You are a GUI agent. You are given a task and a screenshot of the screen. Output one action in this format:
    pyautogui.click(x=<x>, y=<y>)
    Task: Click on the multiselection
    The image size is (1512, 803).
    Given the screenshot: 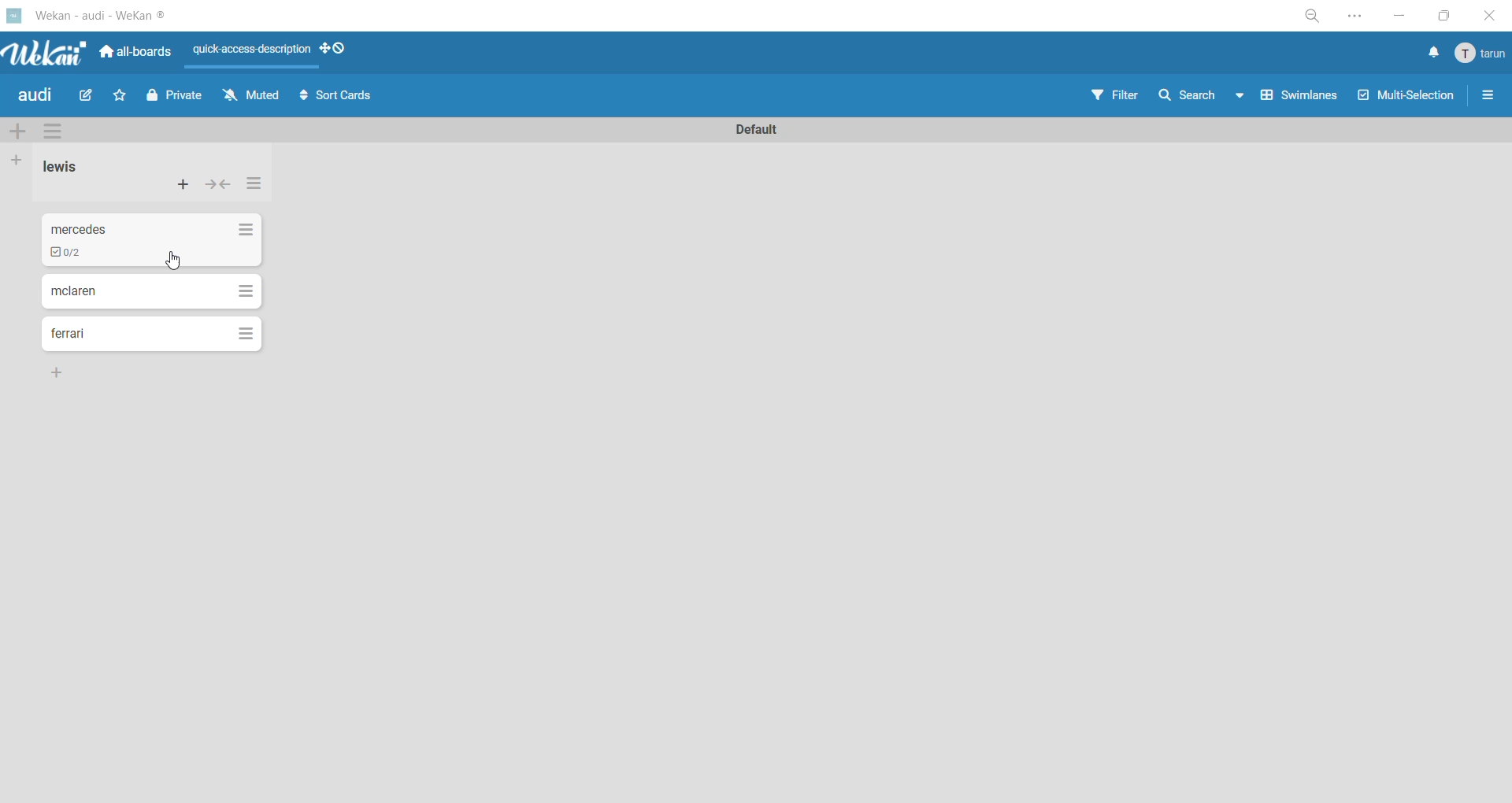 What is the action you would take?
    pyautogui.click(x=1408, y=98)
    